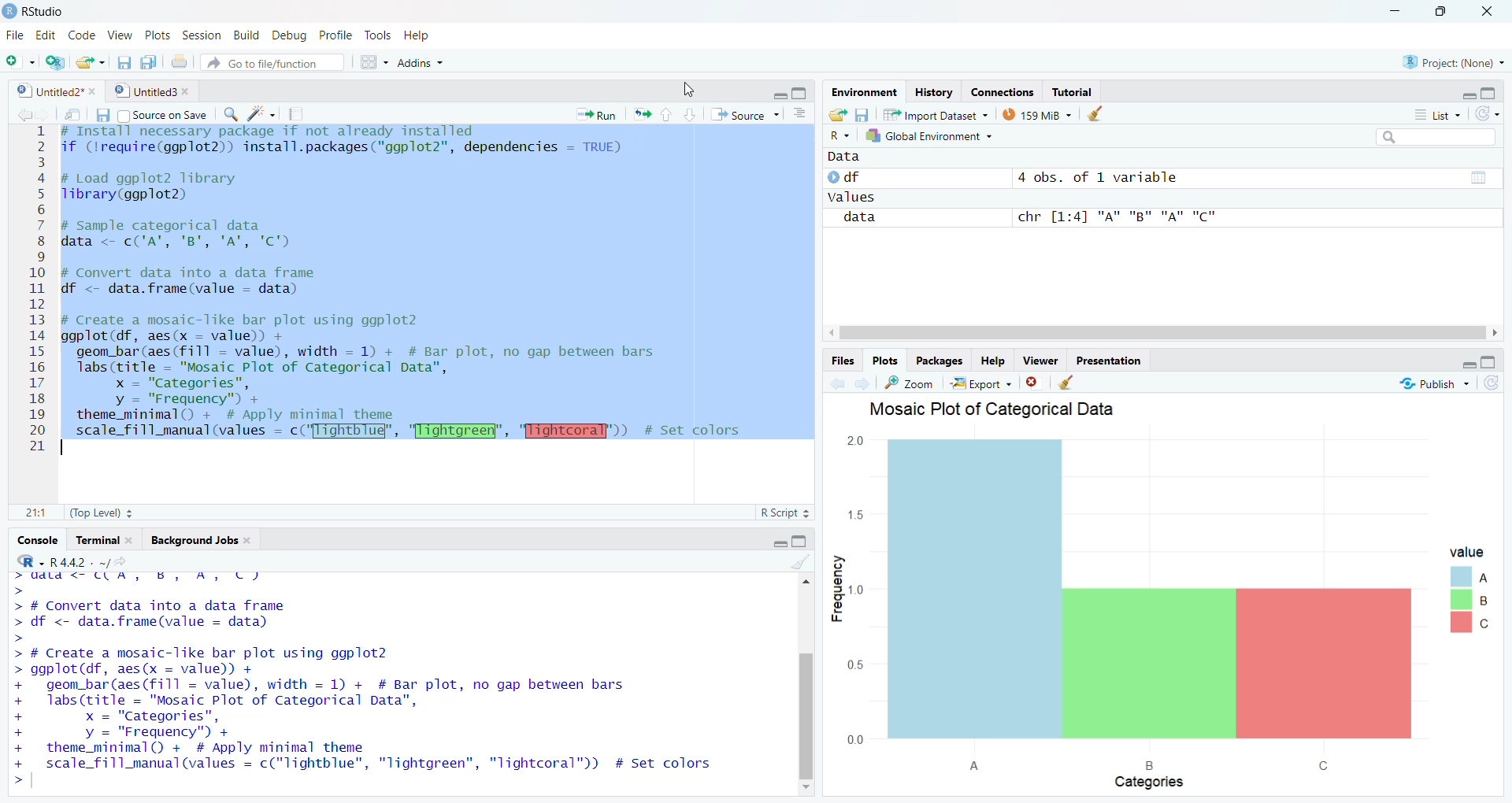  What do you see at coordinates (421, 62) in the screenshot?
I see `addins` at bounding box center [421, 62].